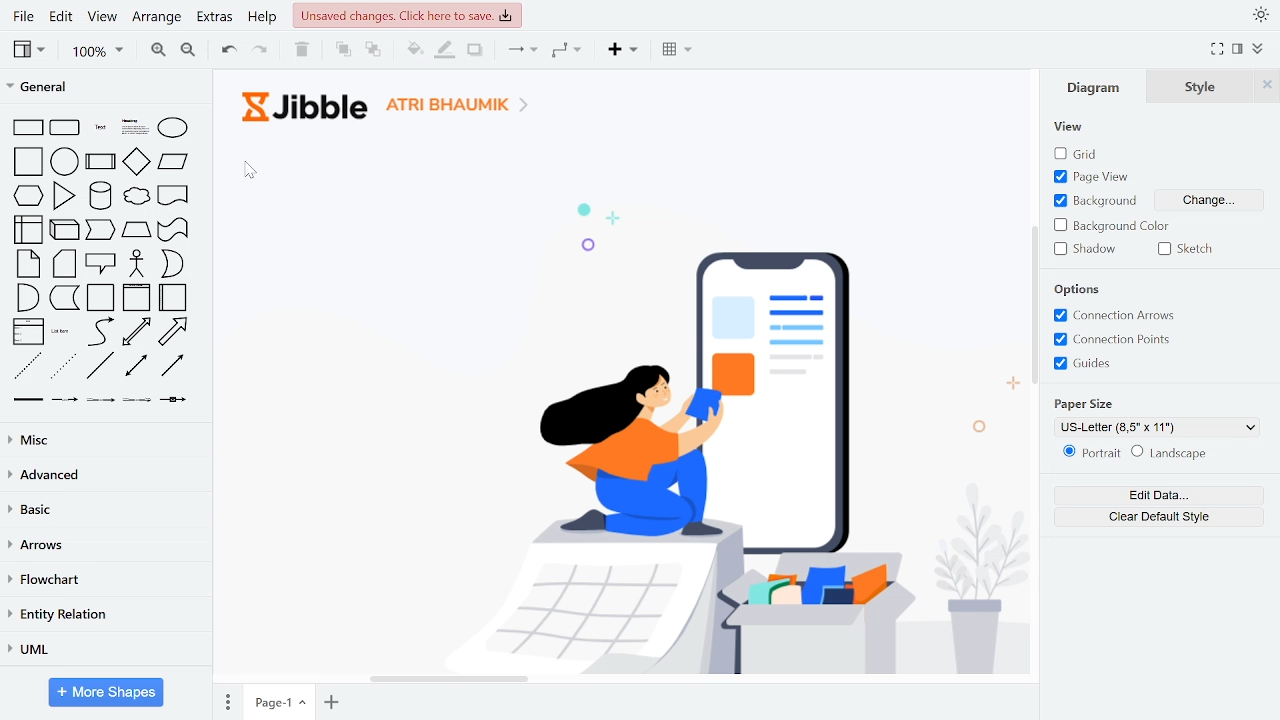  I want to click on Background added, so click(615, 370).